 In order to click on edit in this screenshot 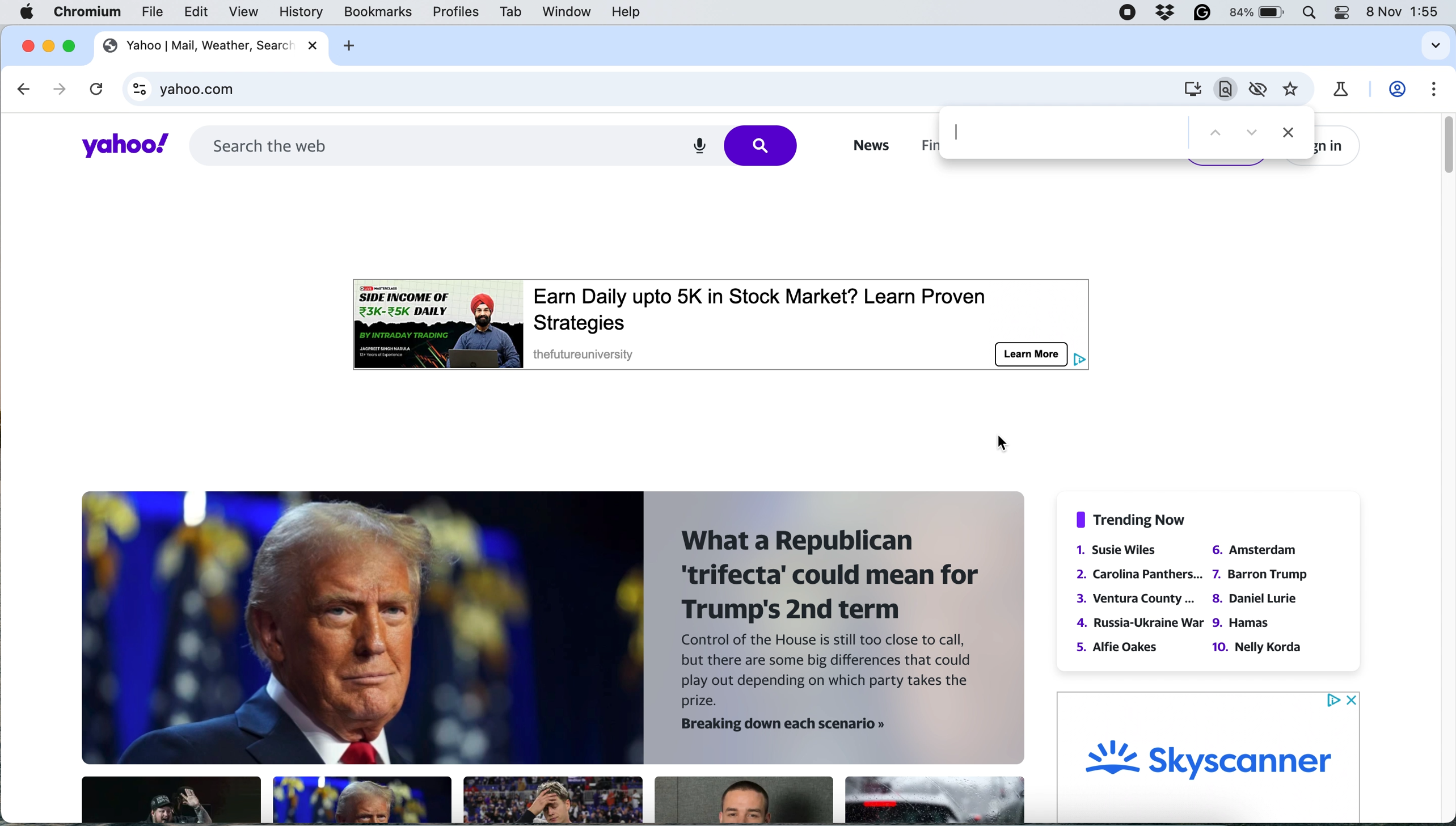, I will do `click(196, 13)`.